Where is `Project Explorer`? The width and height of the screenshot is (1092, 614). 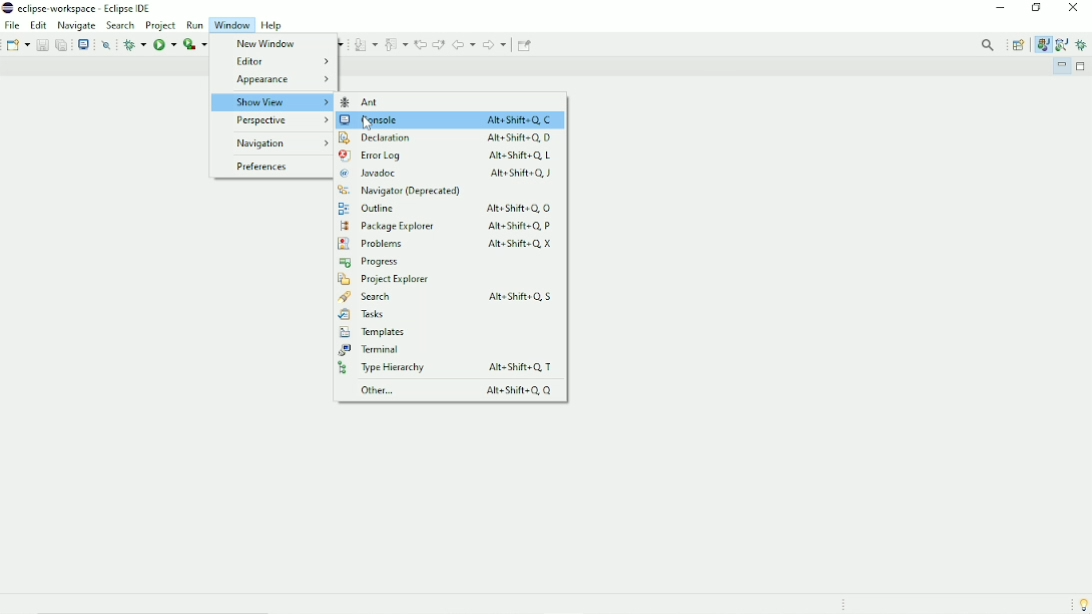
Project Explorer is located at coordinates (383, 280).